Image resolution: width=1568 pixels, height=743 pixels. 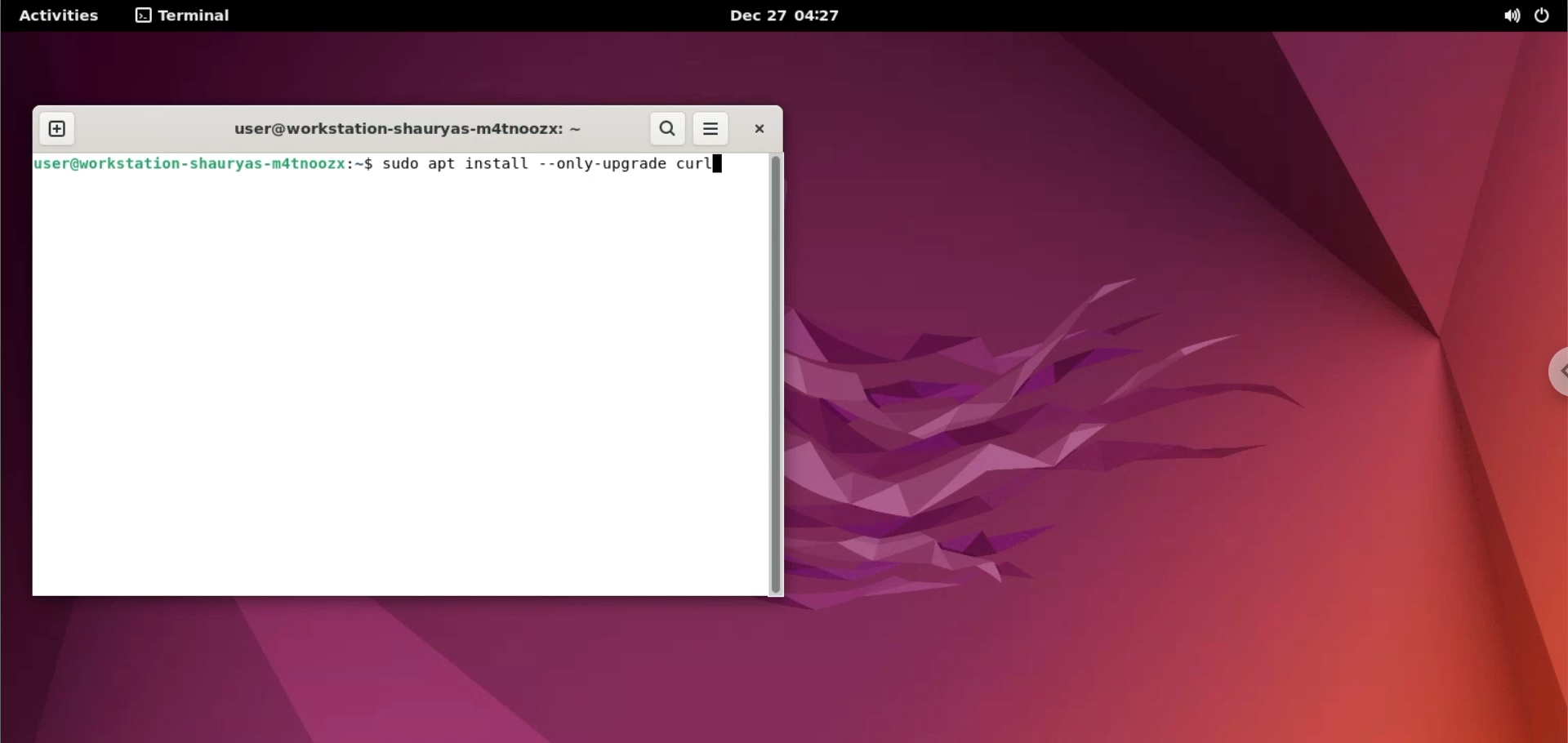 I want to click on new tab, so click(x=58, y=130).